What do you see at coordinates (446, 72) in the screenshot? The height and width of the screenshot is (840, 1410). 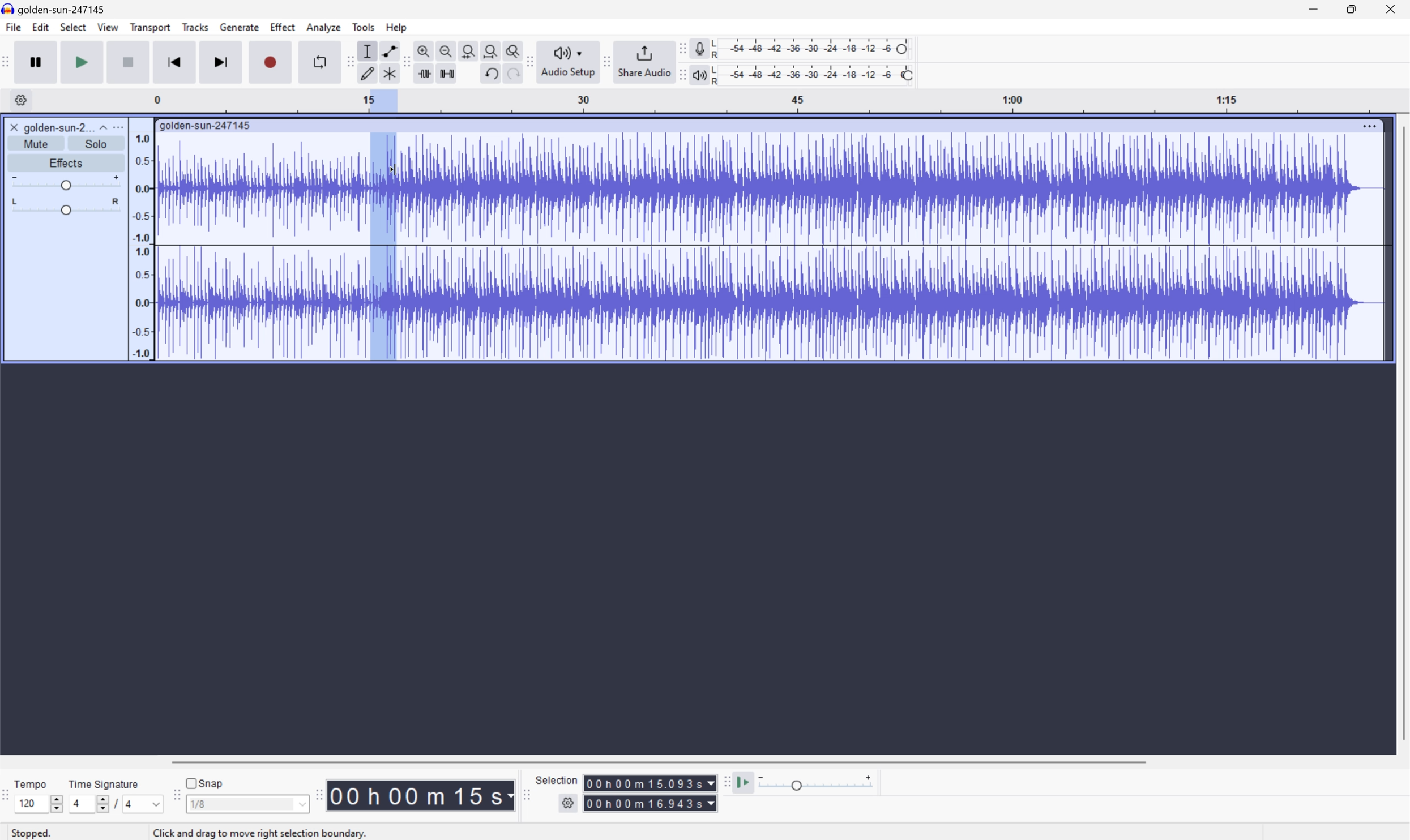 I see `Silence audio selection` at bounding box center [446, 72].